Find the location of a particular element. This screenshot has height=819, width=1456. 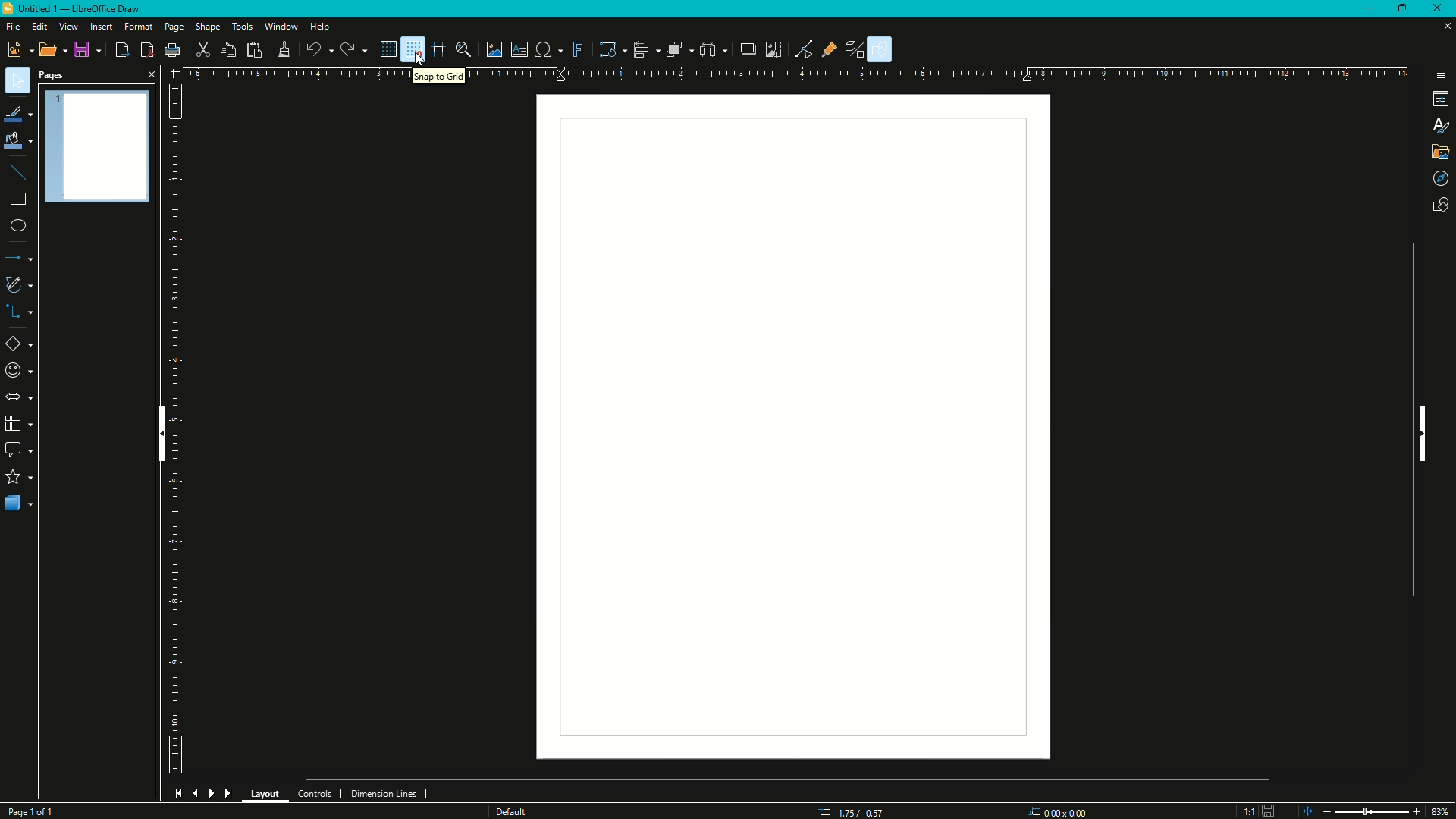

View is located at coordinates (71, 27).